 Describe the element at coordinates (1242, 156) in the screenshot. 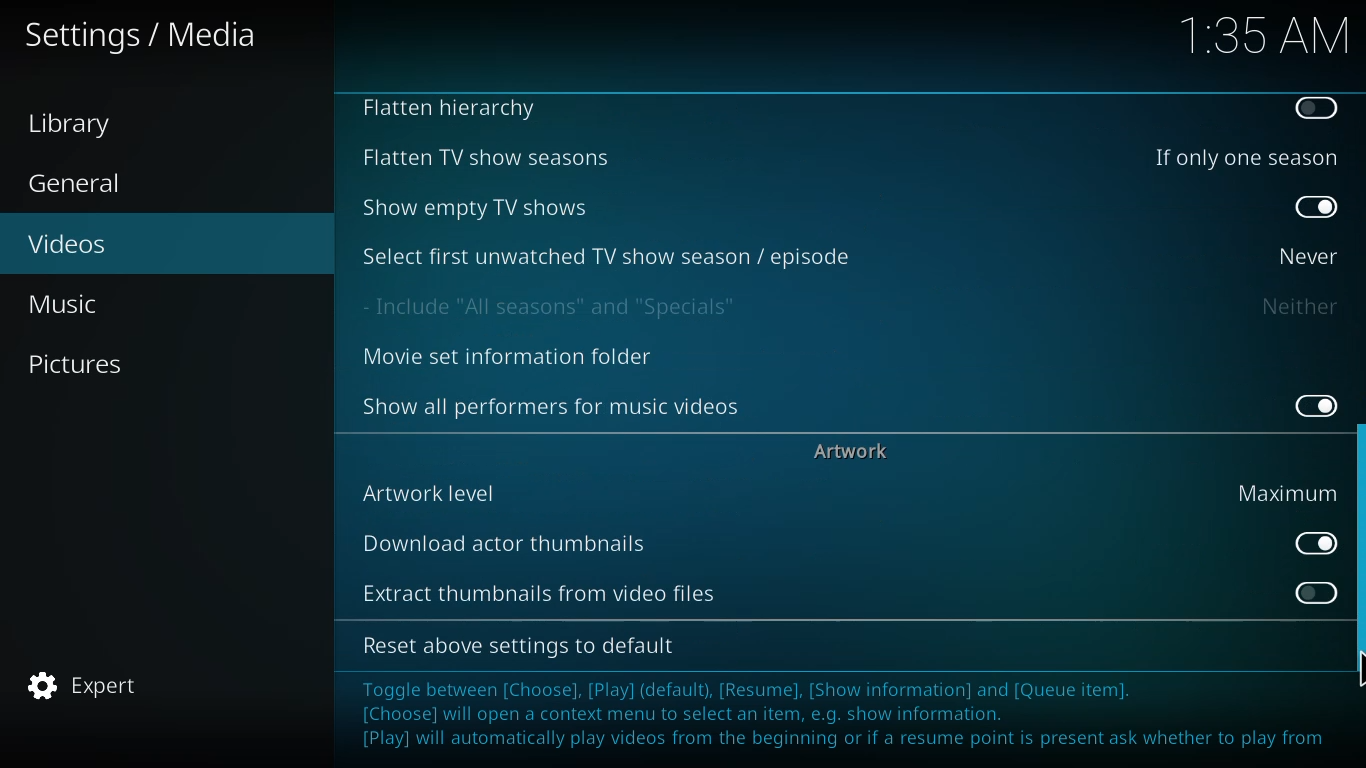

I see `if only one season` at that location.